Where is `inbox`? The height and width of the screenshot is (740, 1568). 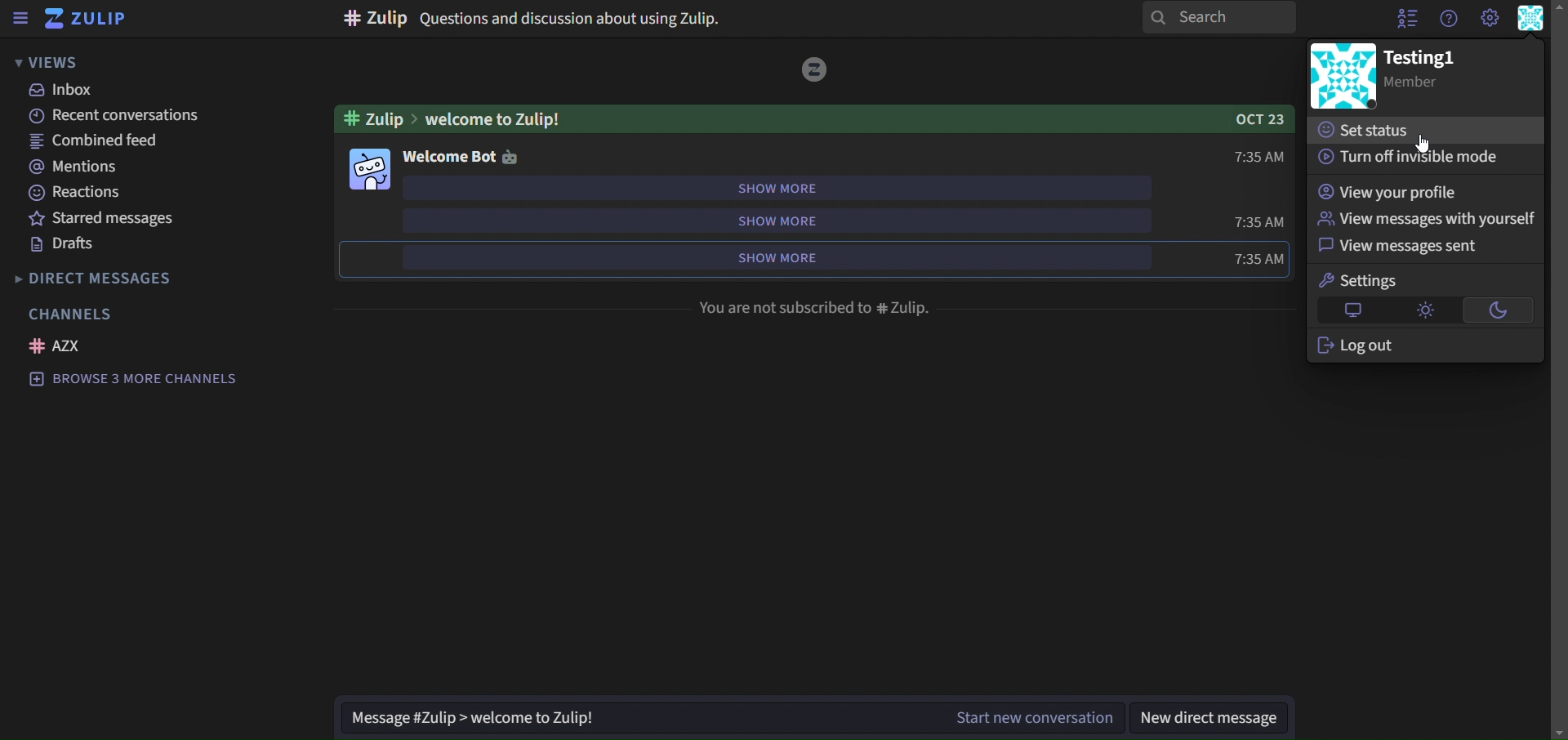 inbox is located at coordinates (65, 91).